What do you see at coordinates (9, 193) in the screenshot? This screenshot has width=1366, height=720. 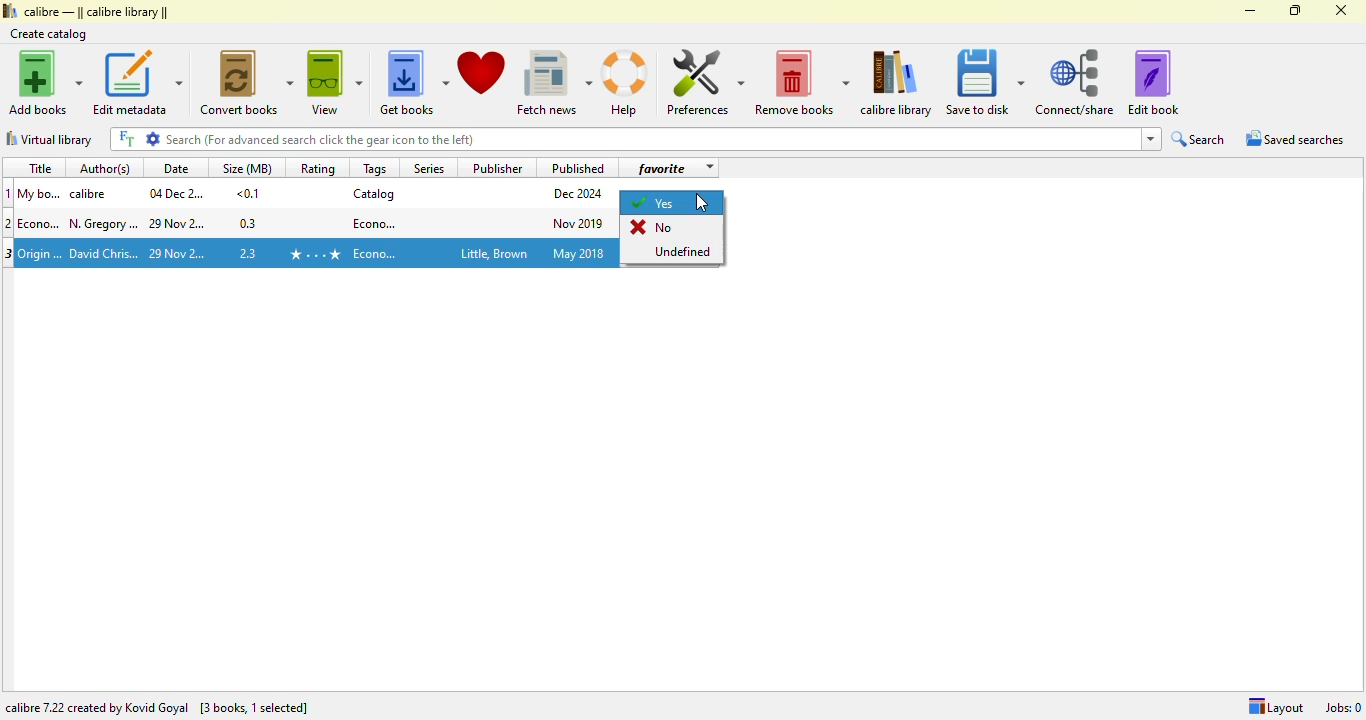 I see `1` at bounding box center [9, 193].